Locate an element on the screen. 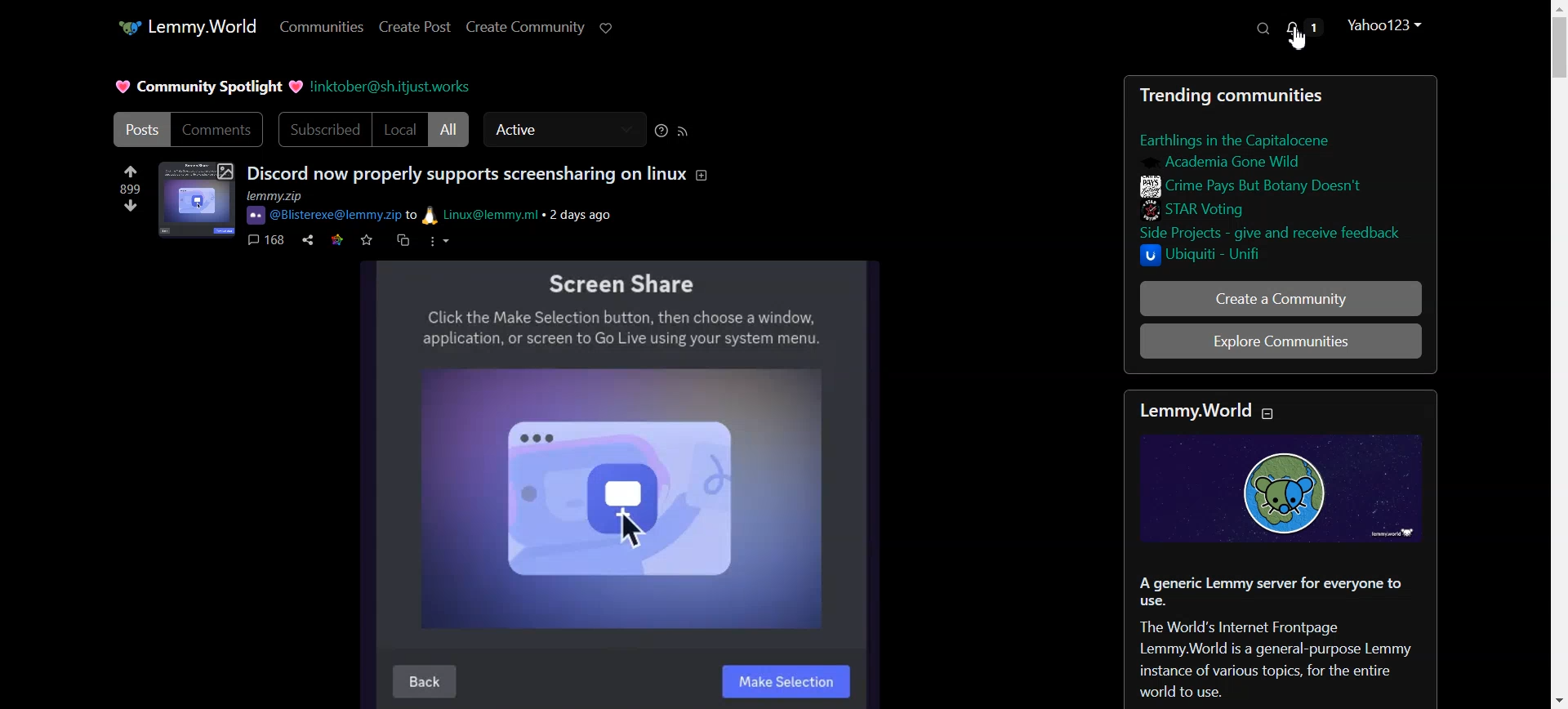 This screenshot has height=709, width=1568. Discord now properly supports screensharing on linux © is located at coordinates (468, 173).